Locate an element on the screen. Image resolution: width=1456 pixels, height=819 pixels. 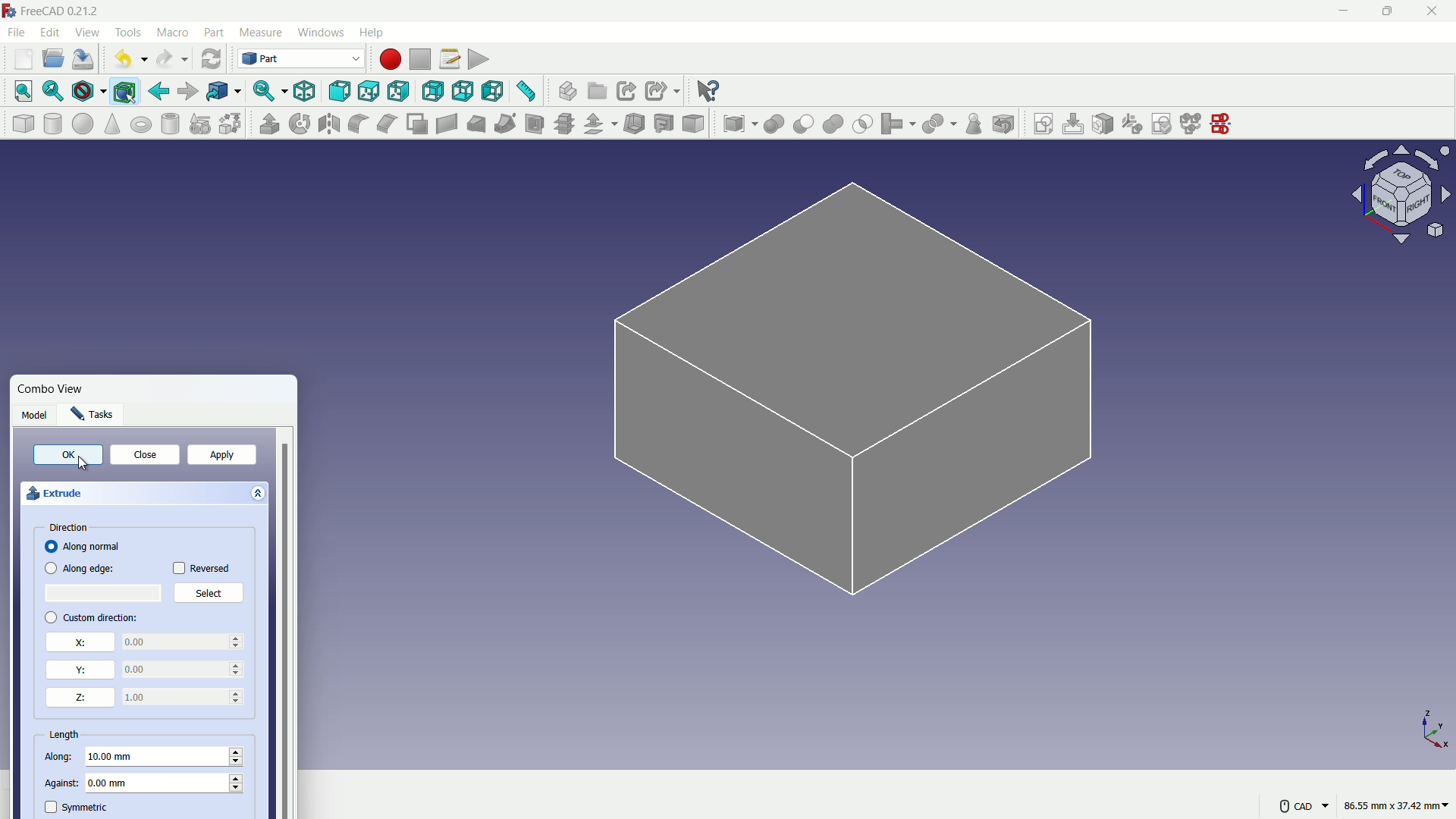
FreeCAD 0.21.2 is located at coordinates (63, 11).